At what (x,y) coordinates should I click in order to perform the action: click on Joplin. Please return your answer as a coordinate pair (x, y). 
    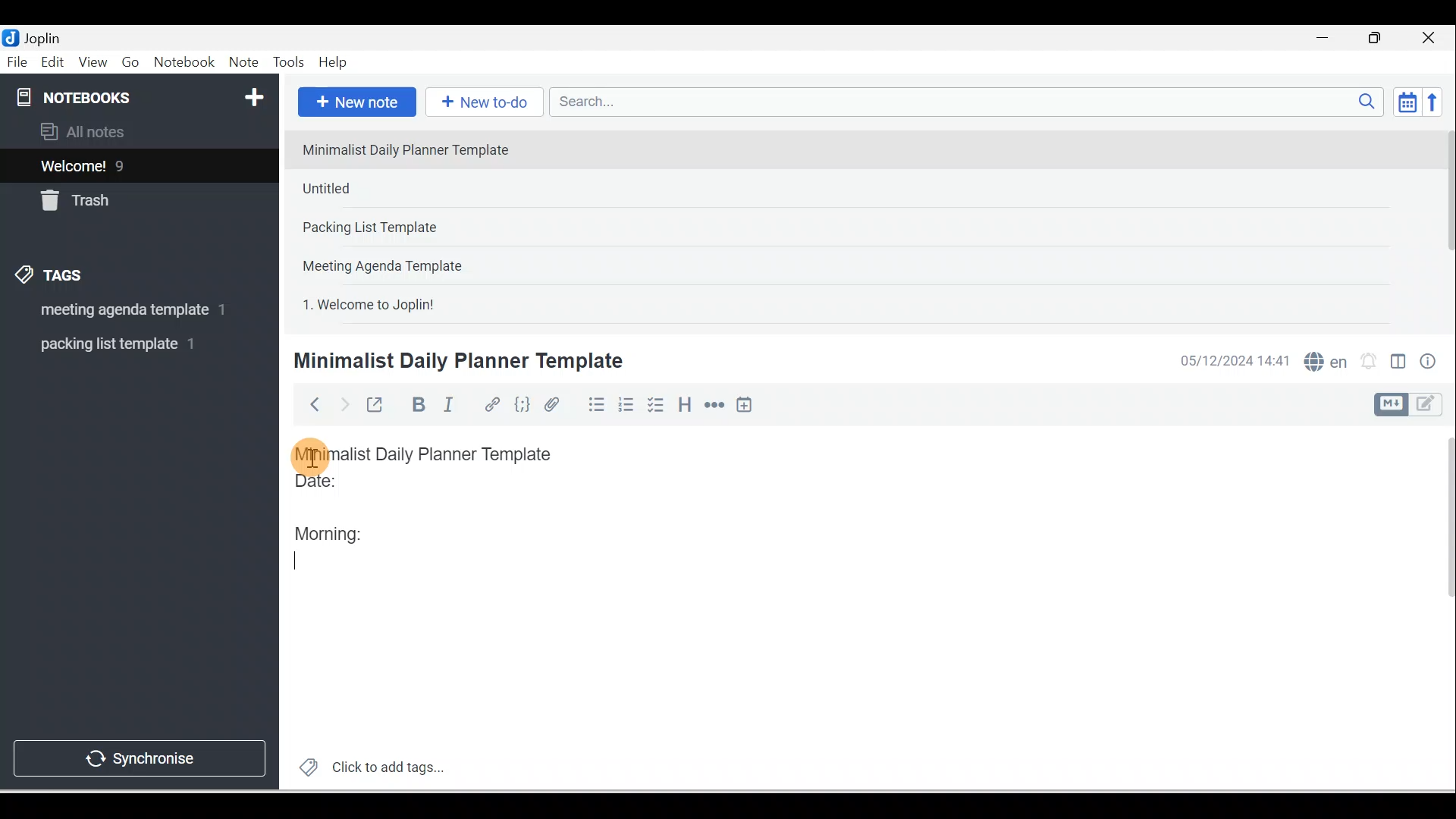
    Looking at the image, I should click on (46, 36).